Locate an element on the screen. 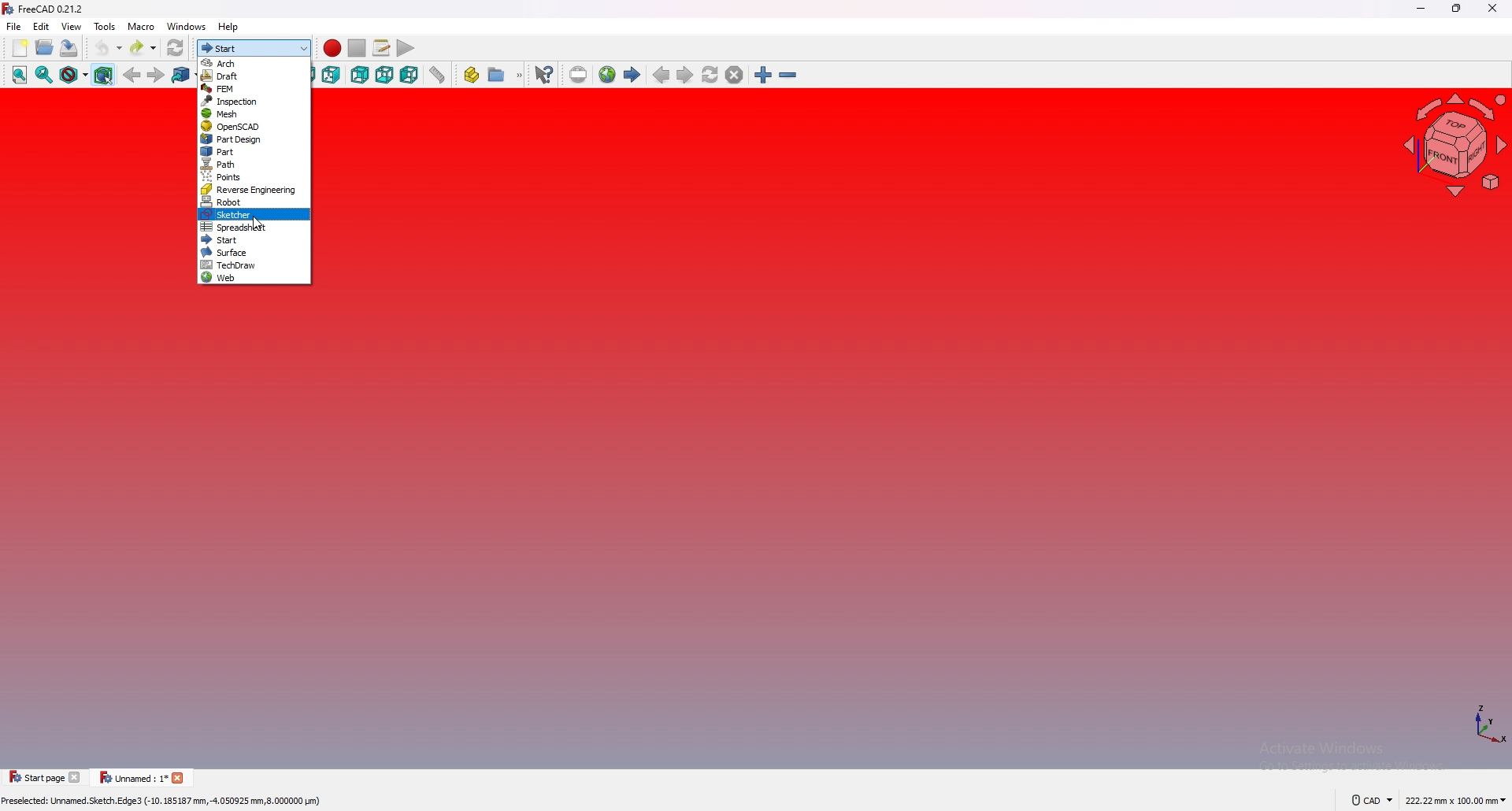 This screenshot has width=1512, height=811. part design is located at coordinates (254, 138).